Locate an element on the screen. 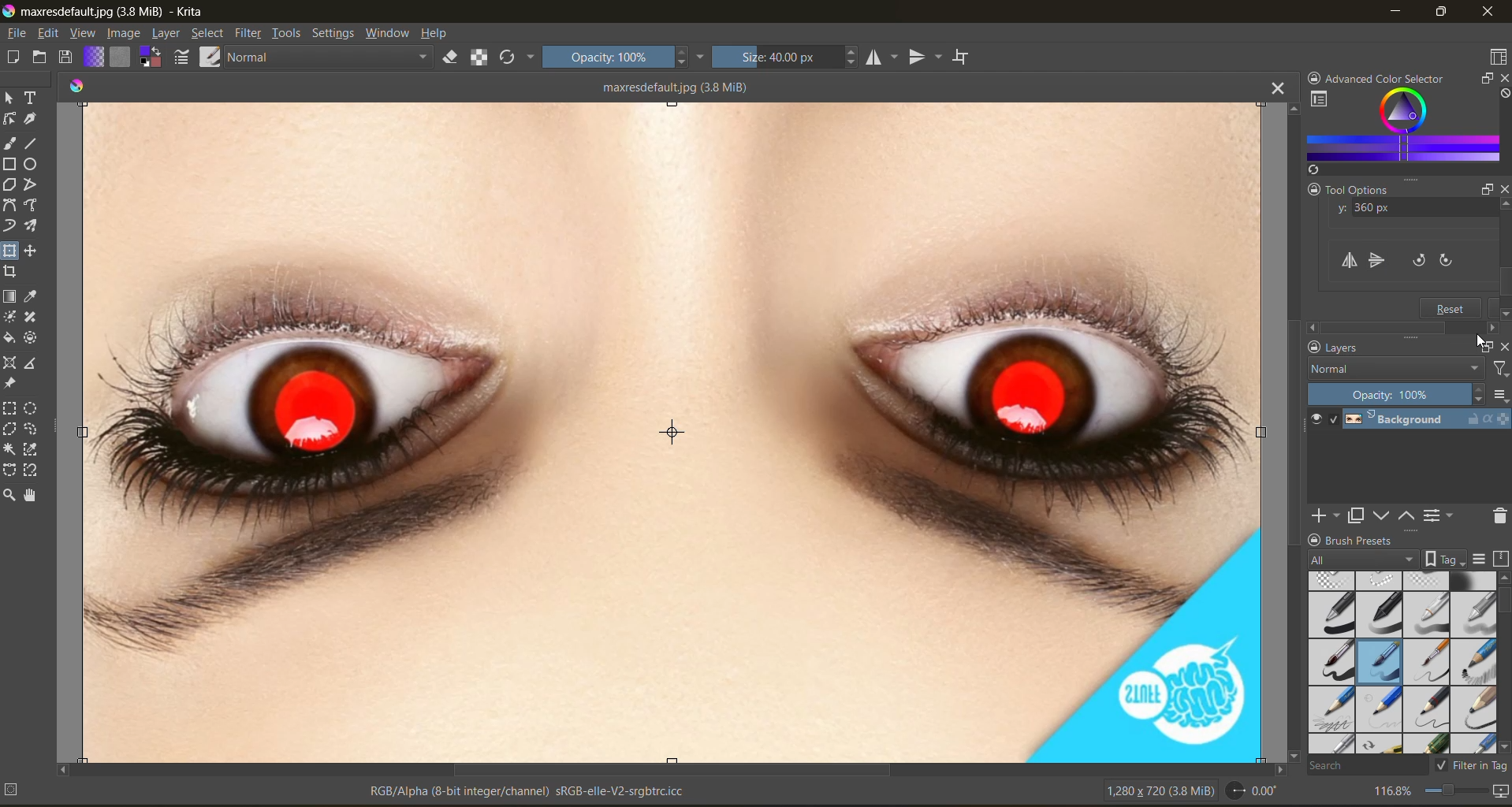 This screenshot has width=1512, height=807. open is located at coordinates (43, 59).